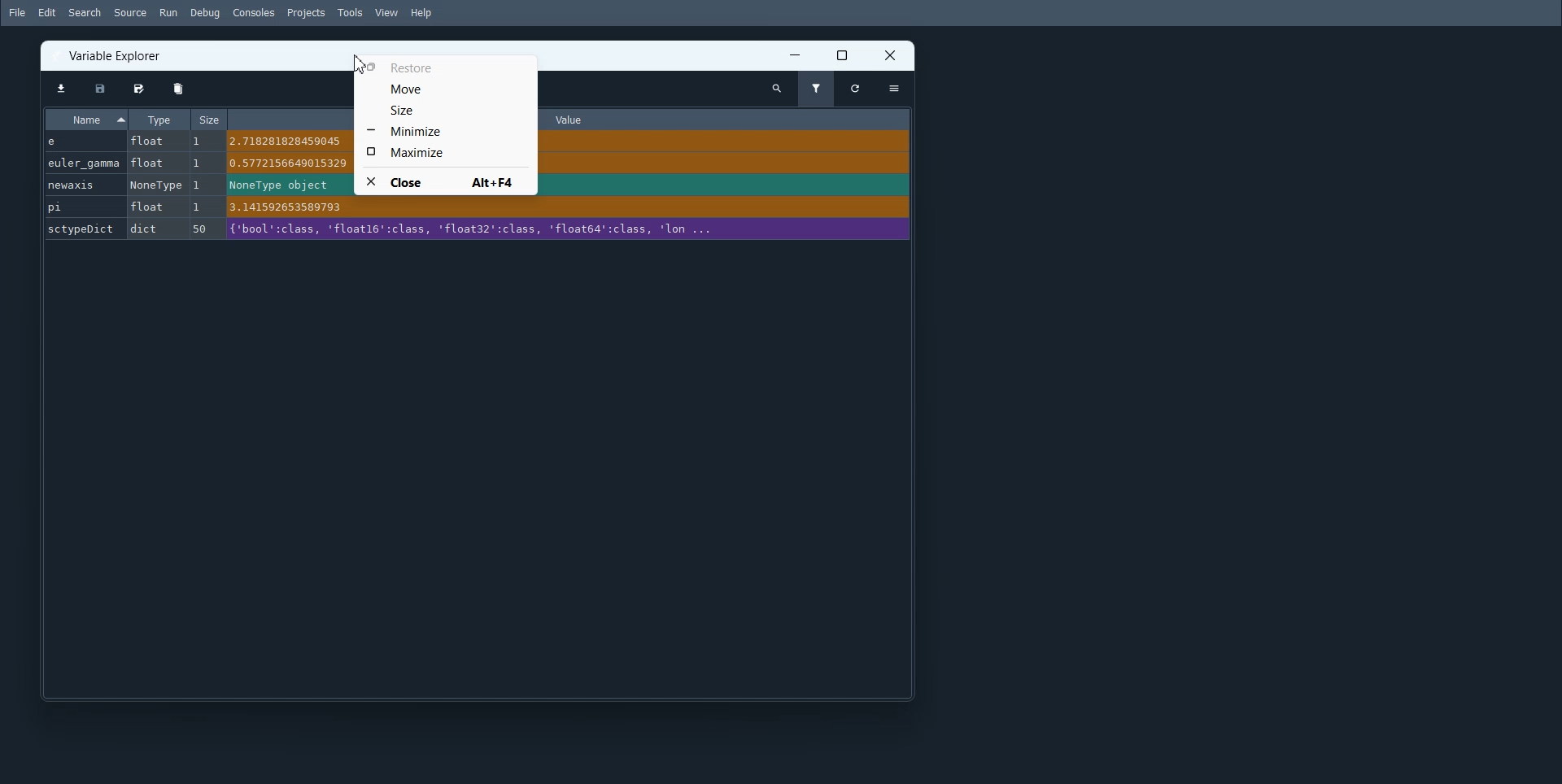 This screenshot has width=1562, height=784. What do you see at coordinates (778, 89) in the screenshot?
I see `Search Variables` at bounding box center [778, 89].